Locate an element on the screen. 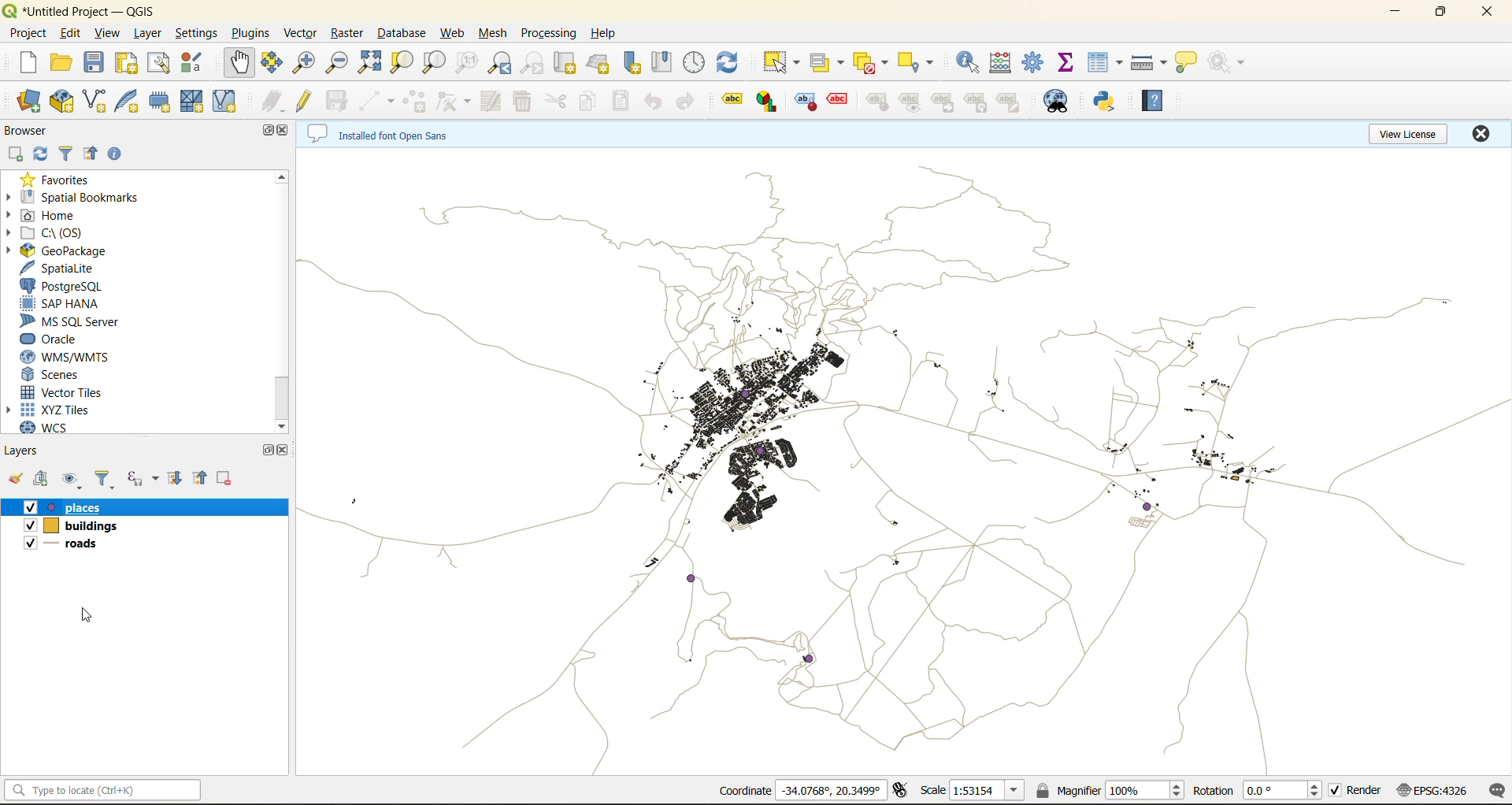  select location is located at coordinates (921, 61).